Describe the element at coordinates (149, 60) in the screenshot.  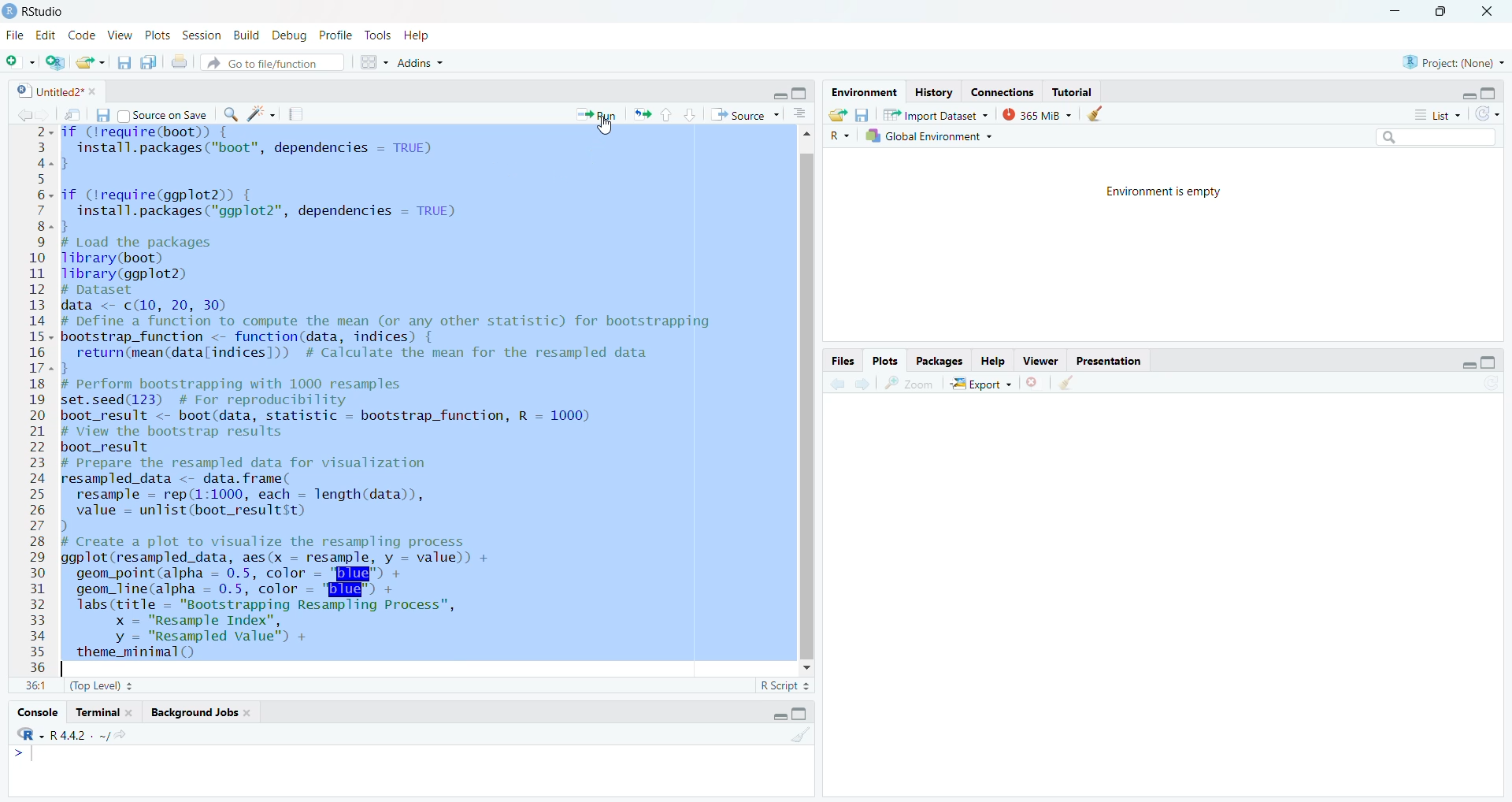
I see `save all open documents` at that location.